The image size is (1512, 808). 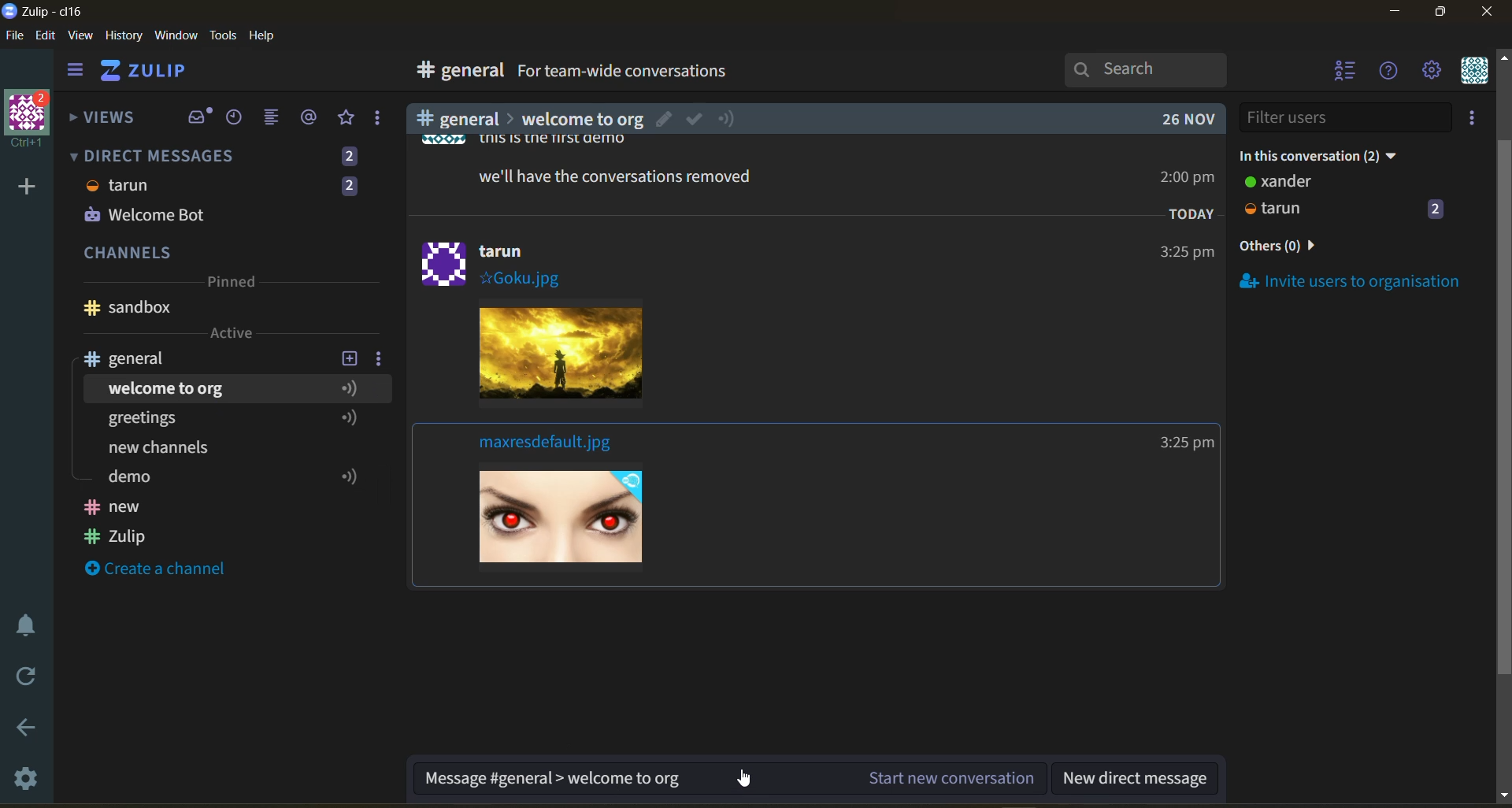 I want to click on add new topic, so click(x=348, y=356).